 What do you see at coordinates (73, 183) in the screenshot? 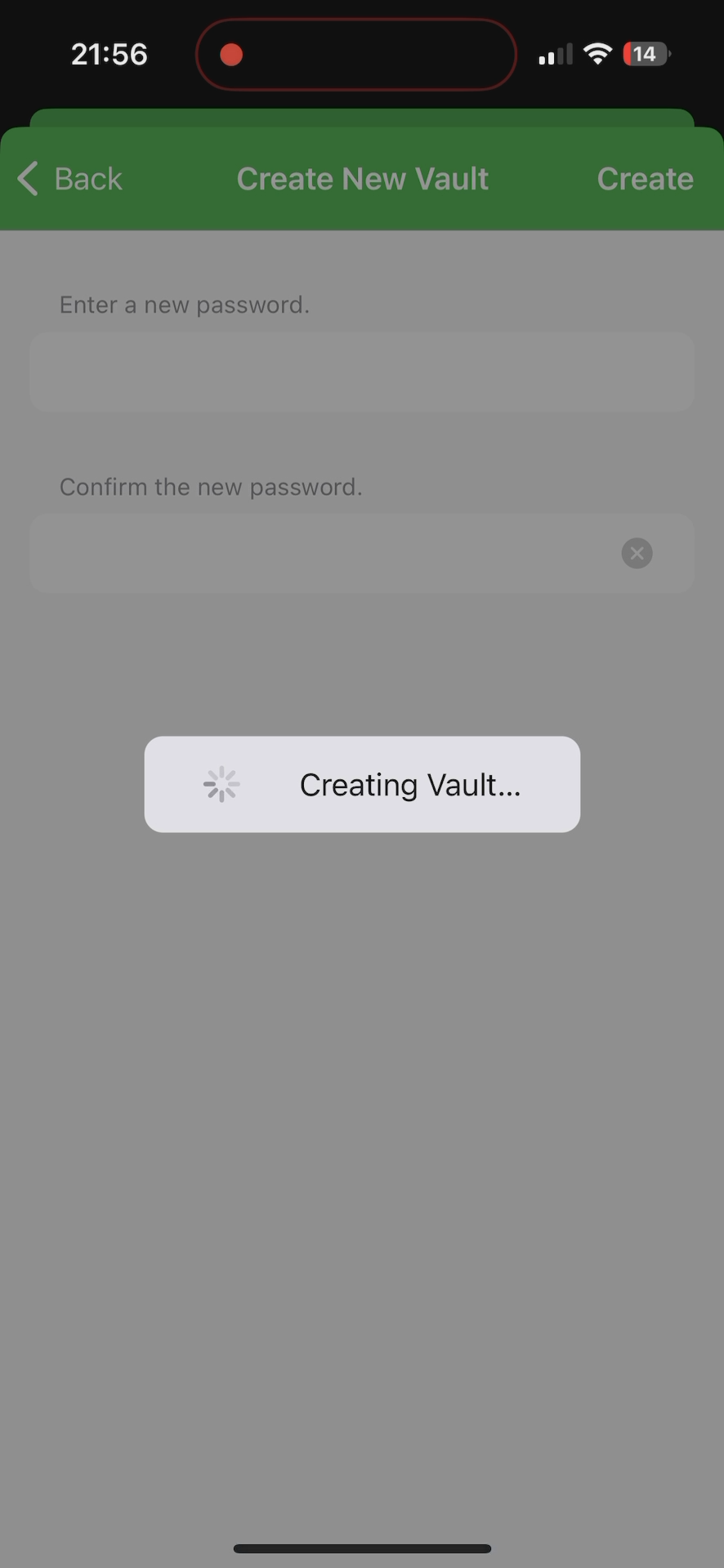
I see `back` at bounding box center [73, 183].